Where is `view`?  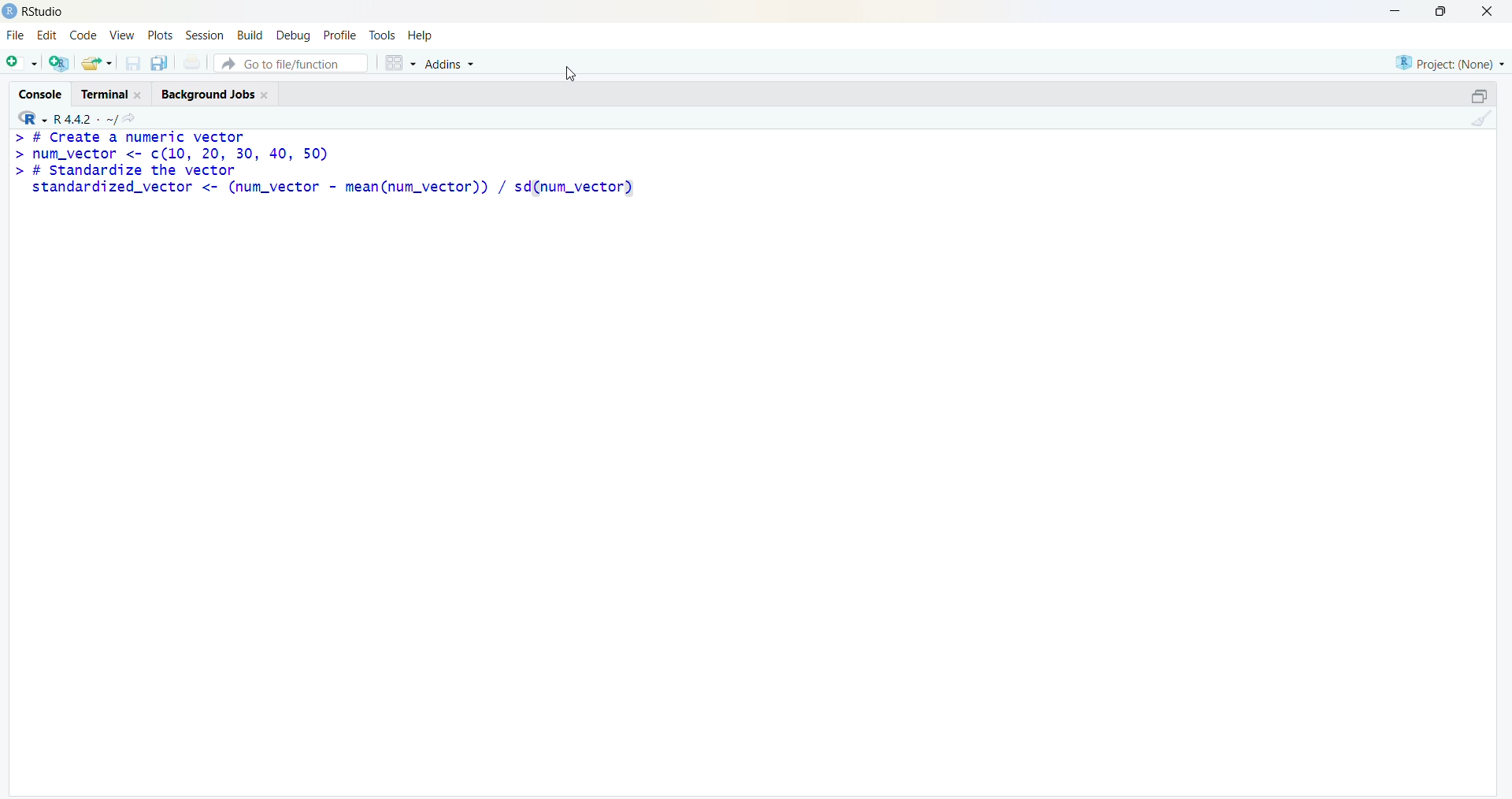
view is located at coordinates (122, 35).